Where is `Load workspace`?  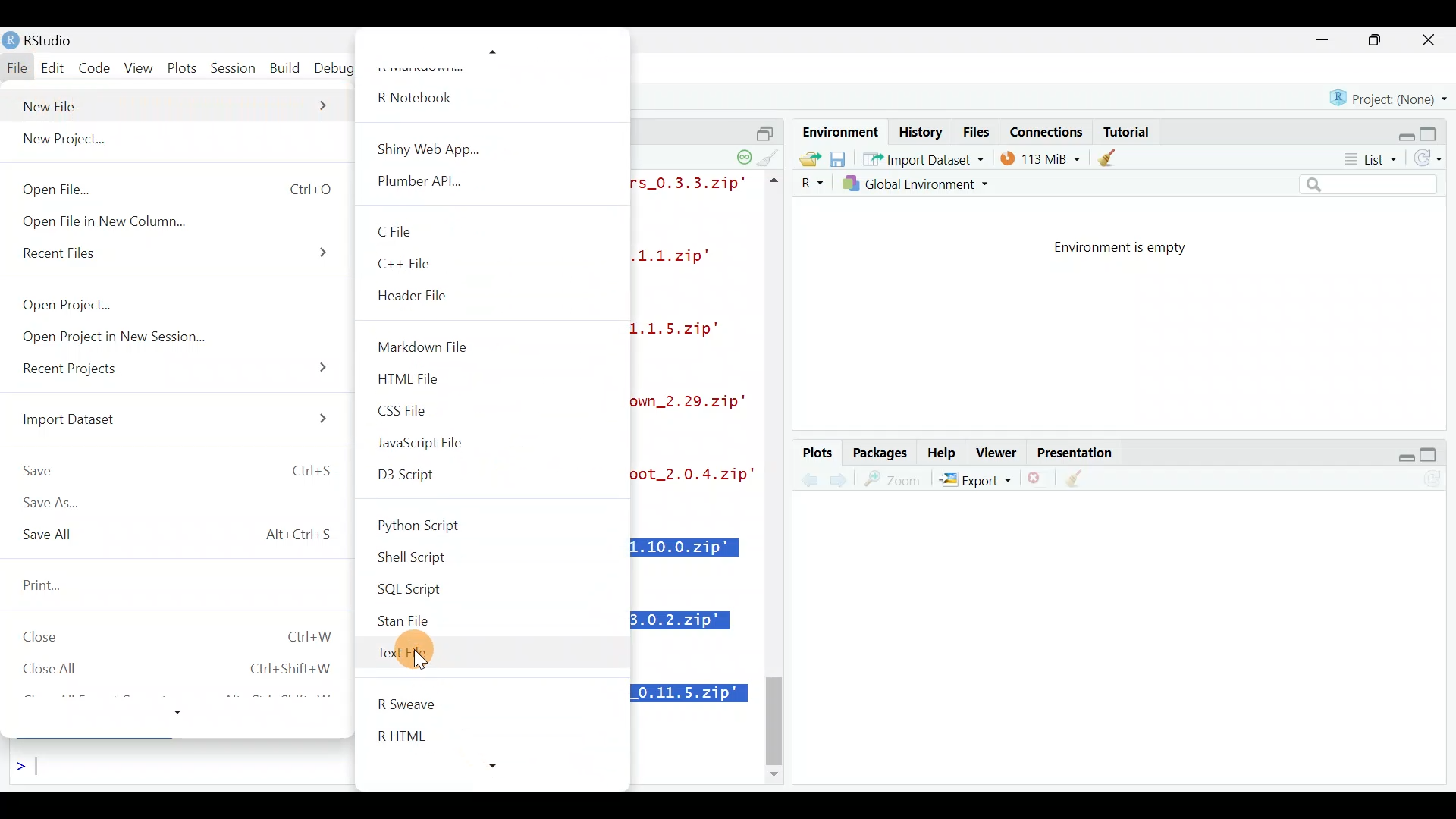 Load workspace is located at coordinates (806, 158).